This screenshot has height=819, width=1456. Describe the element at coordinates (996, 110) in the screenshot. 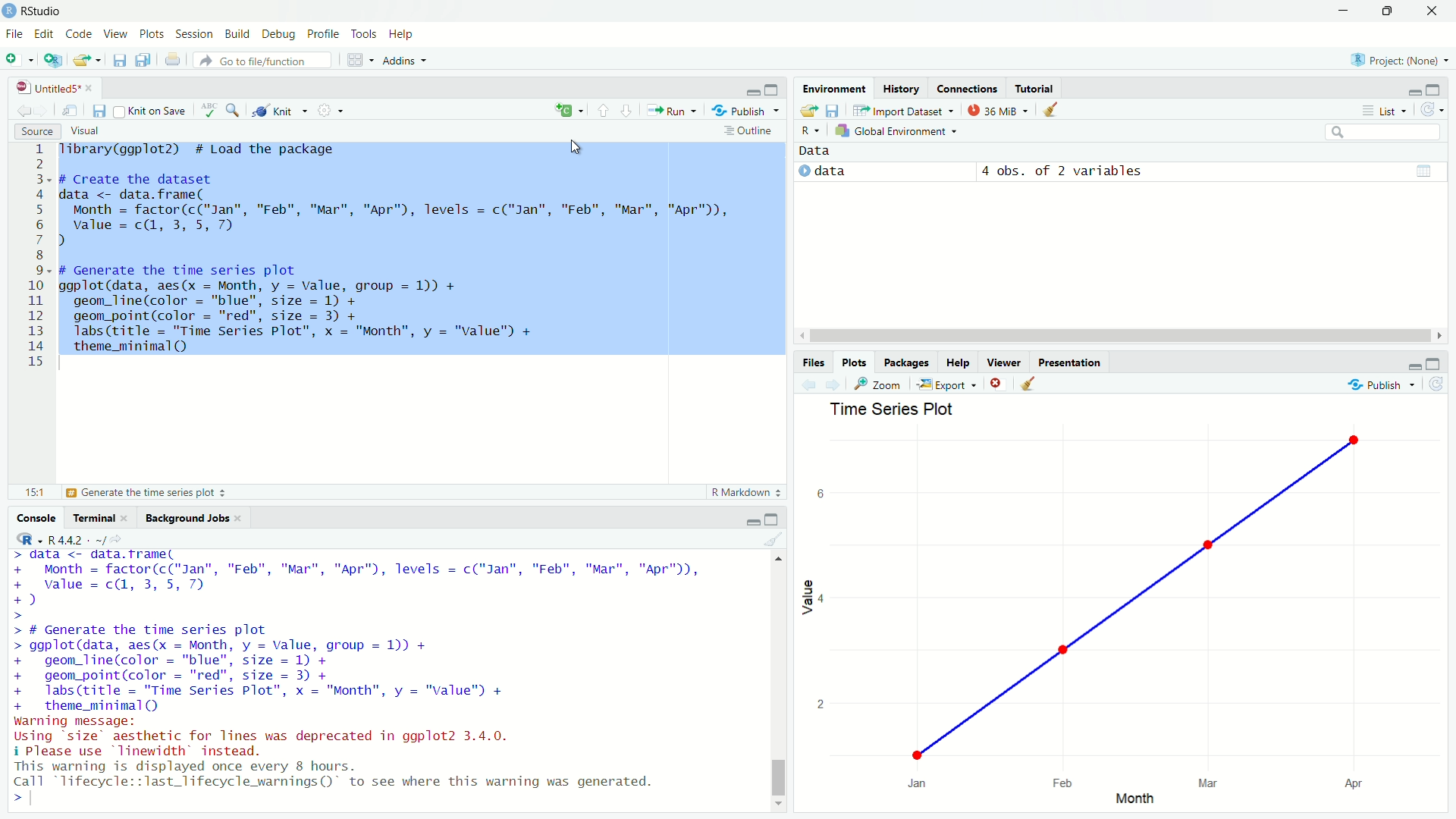

I see `36 MiB` at that location.